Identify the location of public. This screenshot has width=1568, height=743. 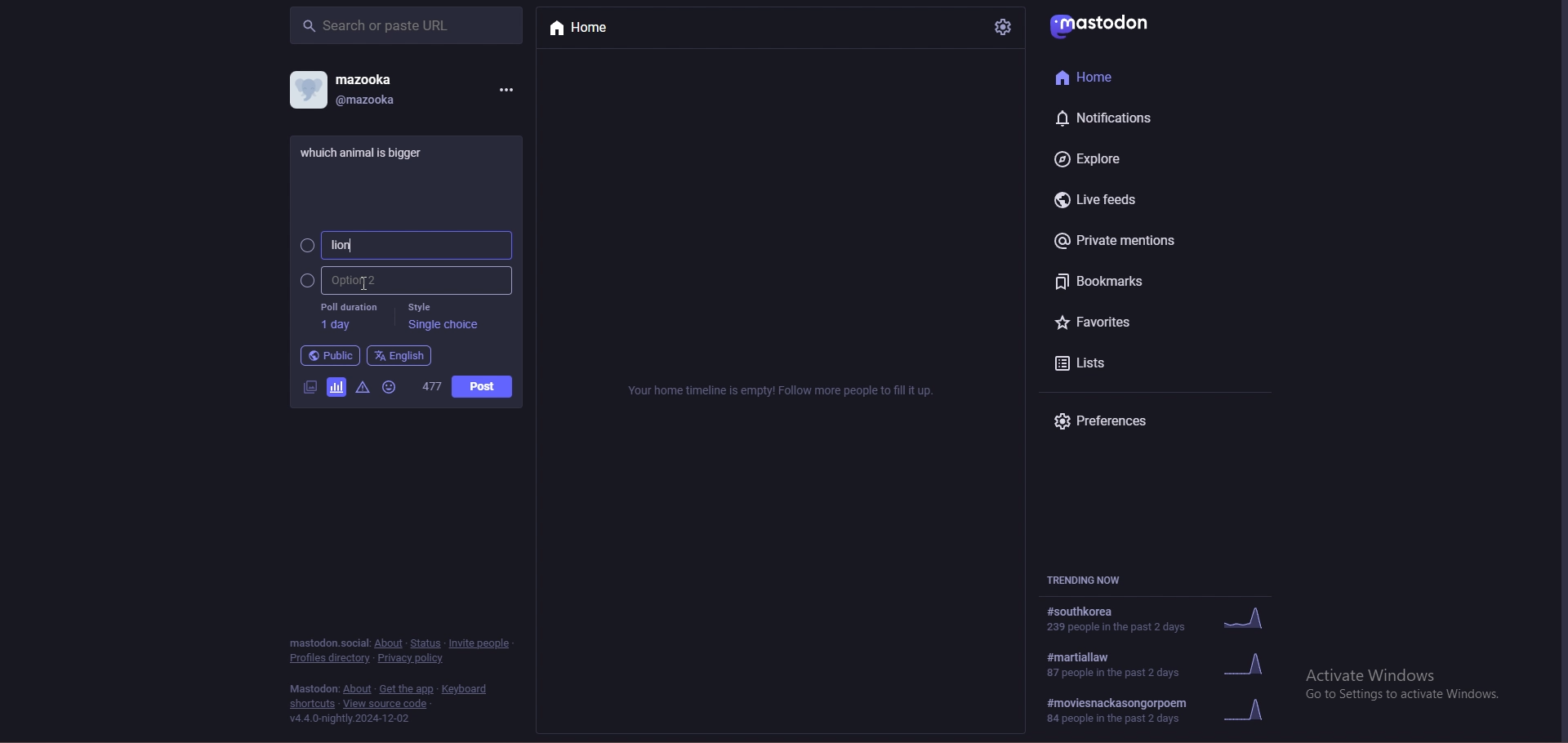
(330, 356).